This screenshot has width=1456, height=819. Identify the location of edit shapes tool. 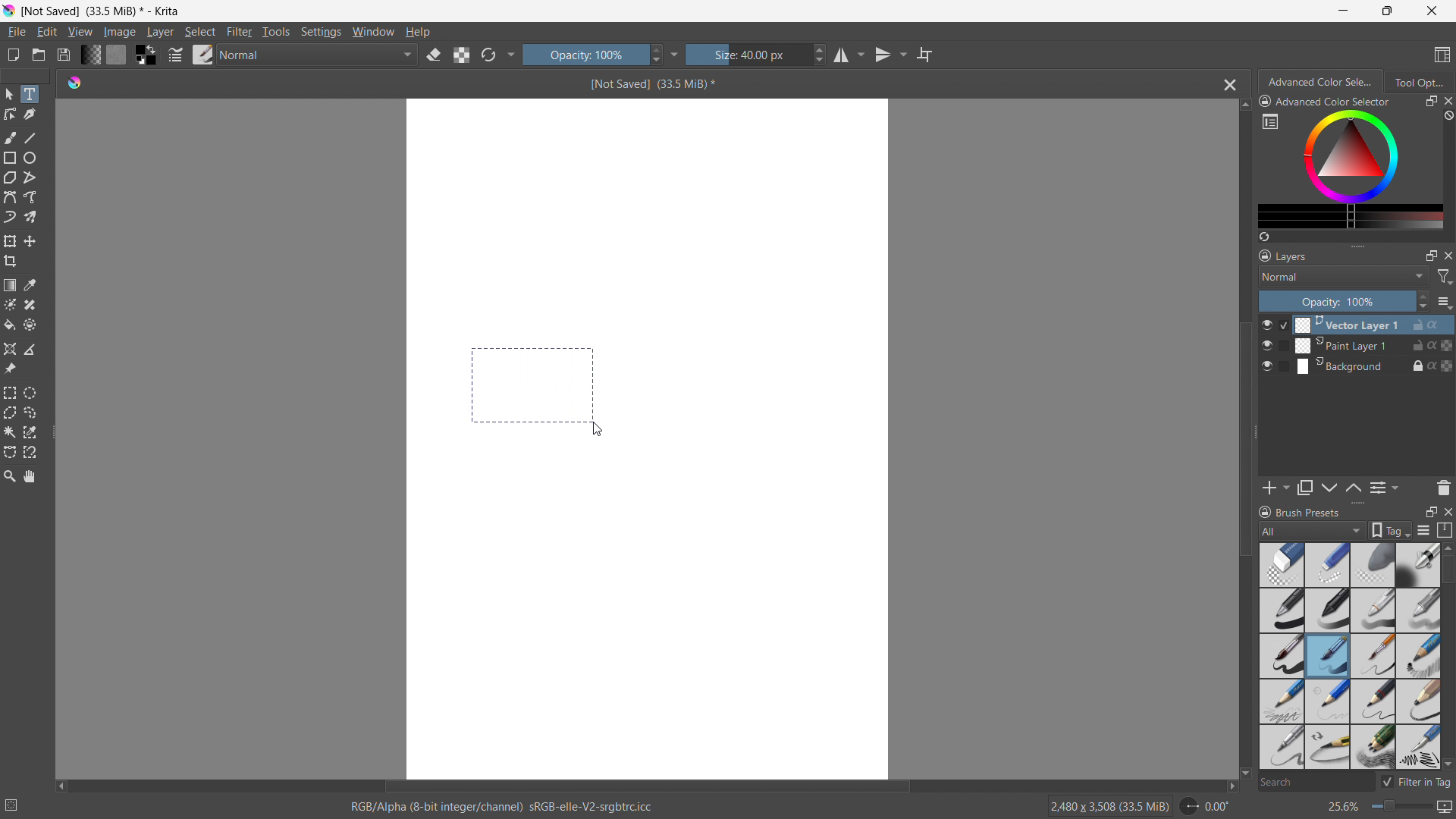
(11, 114).